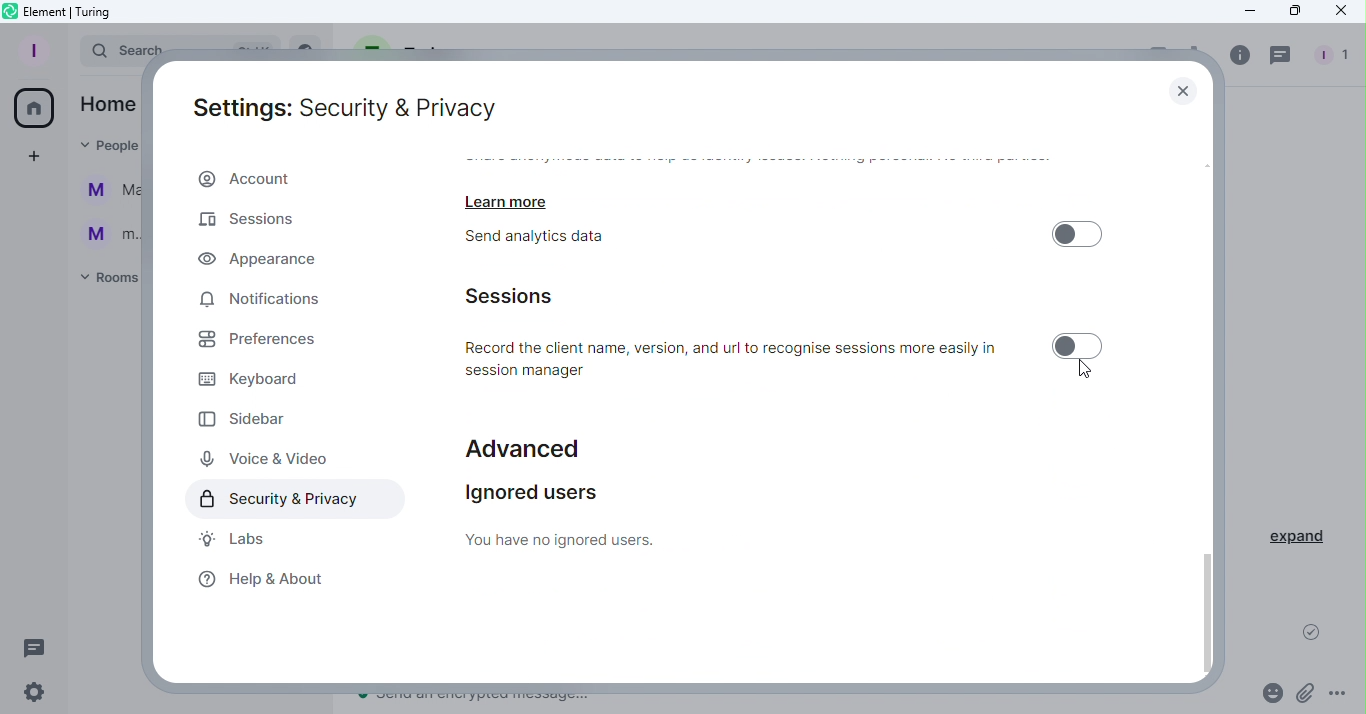 Image resolution: width=1366 pixels, height=714 pixels. Describe the element at coordinates (107, 103) in the screenshot. I see `Home` at that location.